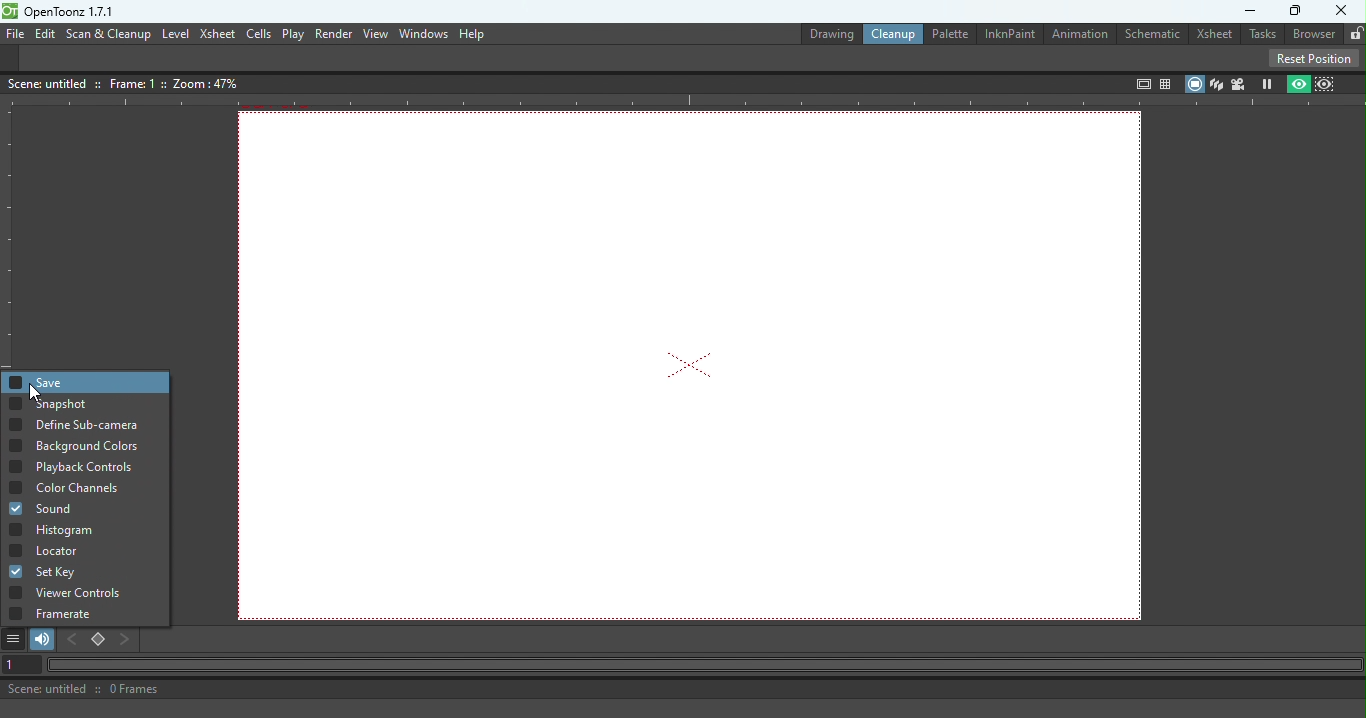 The image size is (1366, 718). I want to click on cells, so click(258, 34).